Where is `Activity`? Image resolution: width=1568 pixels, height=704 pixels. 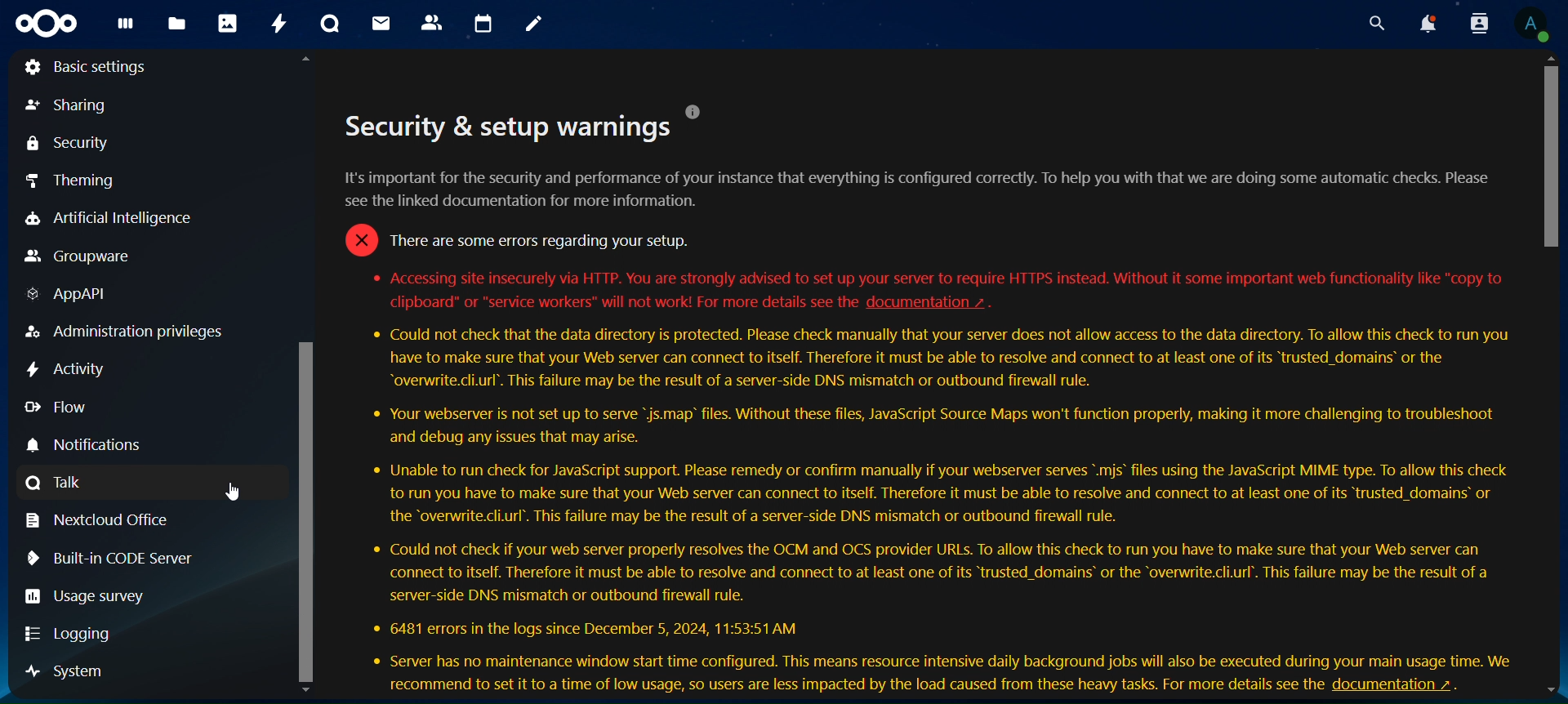
Activity is located at coordinates (70, 373).